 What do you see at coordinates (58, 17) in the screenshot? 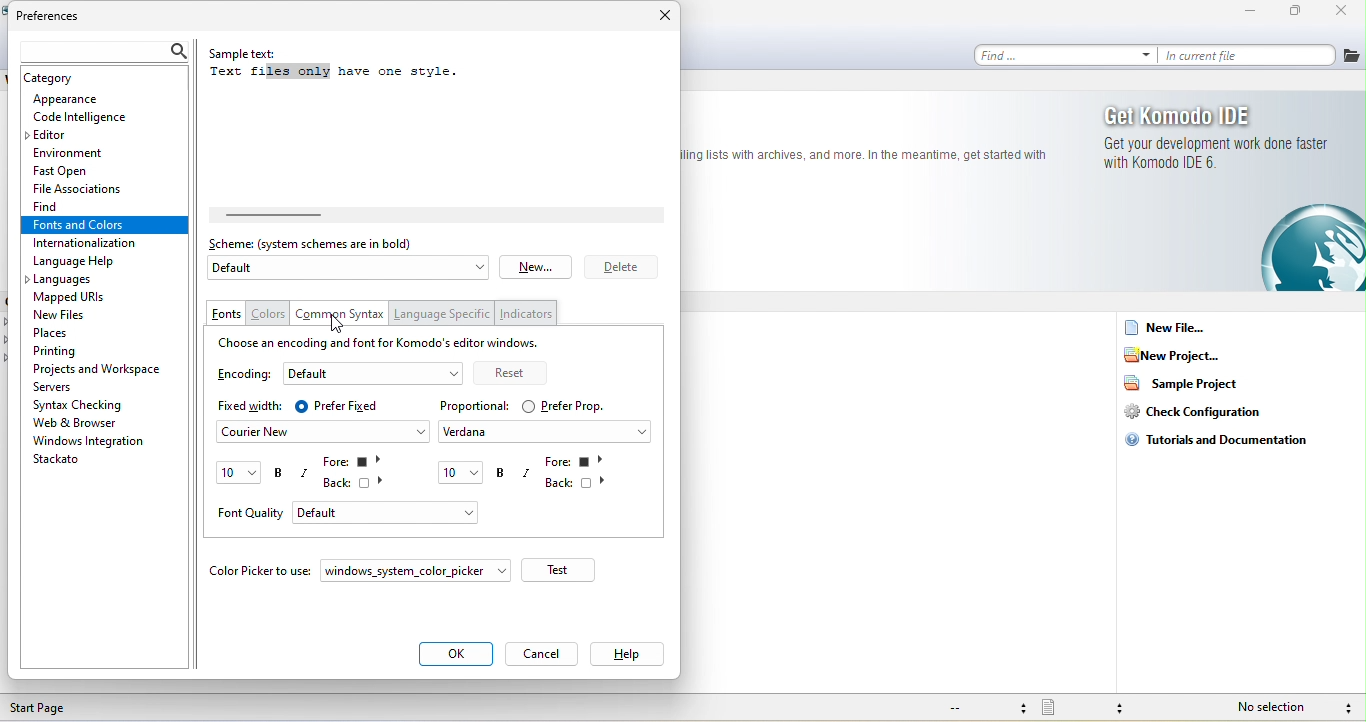
I see `preferences` at bounding box center [58, 17].